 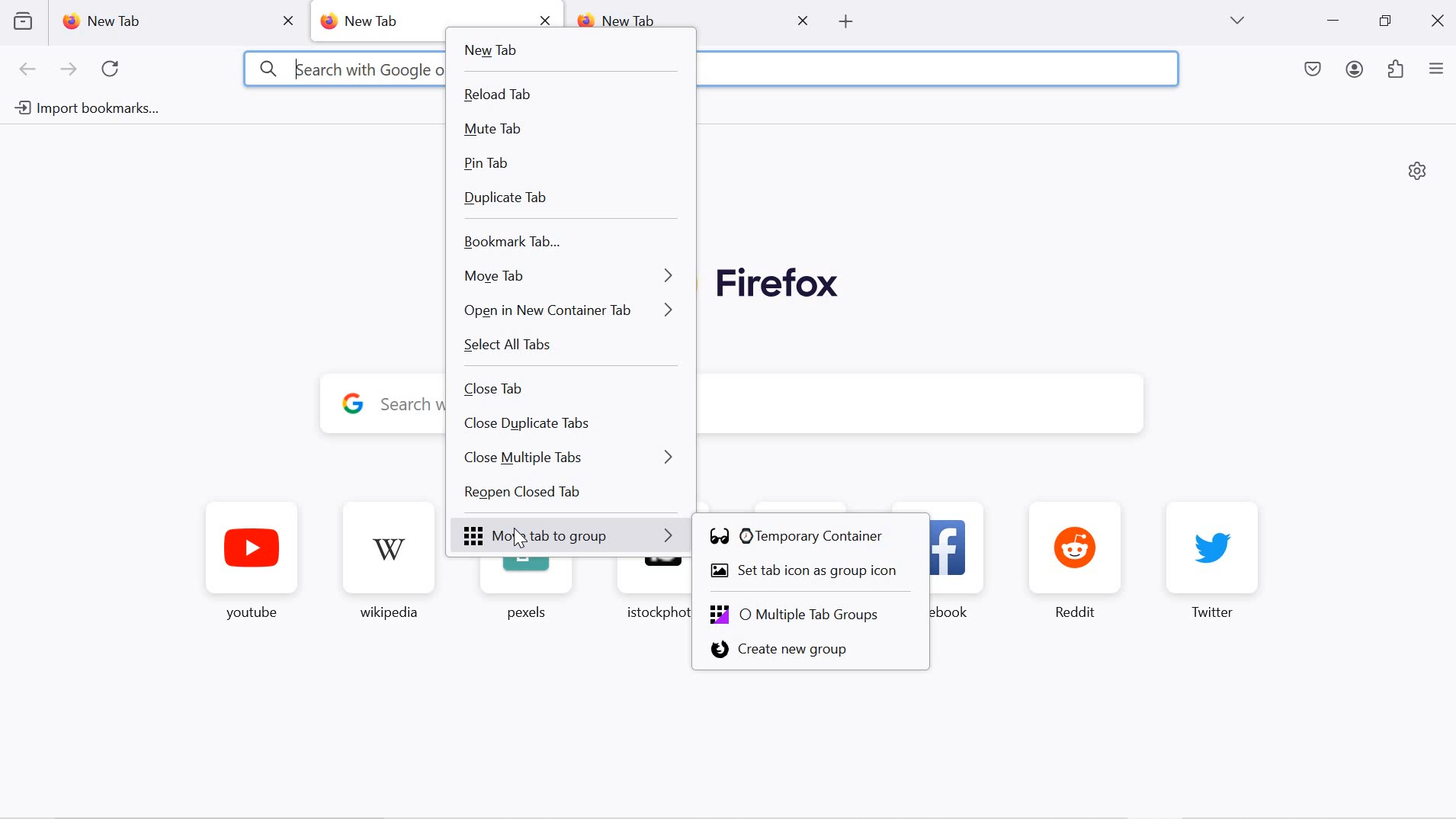 What do you see at coordinates (159, 21) in the screenshot?
I see `new tab` at bounding box center [159, 21].